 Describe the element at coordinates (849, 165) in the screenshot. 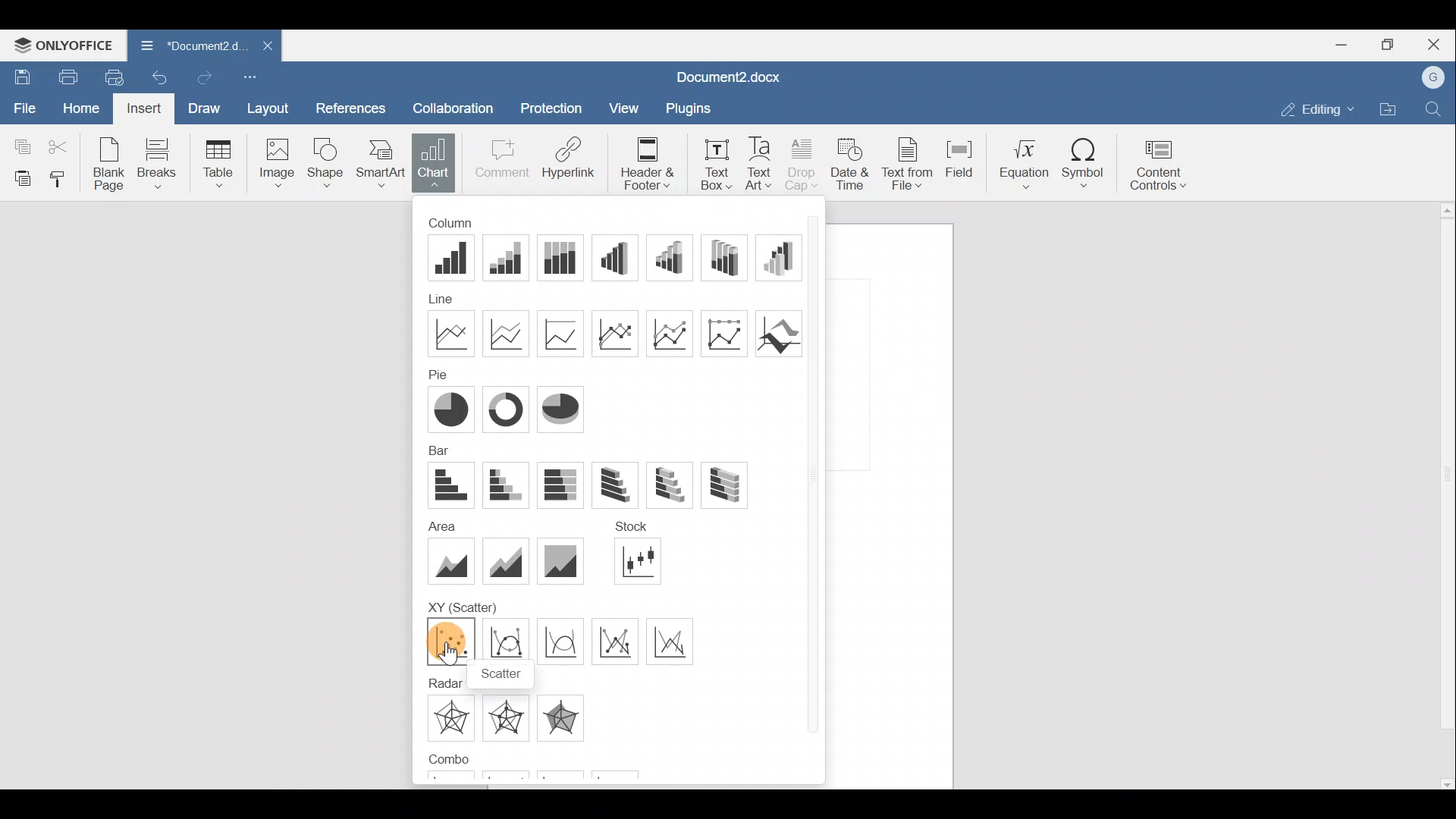

I see `Date & time` at that location.